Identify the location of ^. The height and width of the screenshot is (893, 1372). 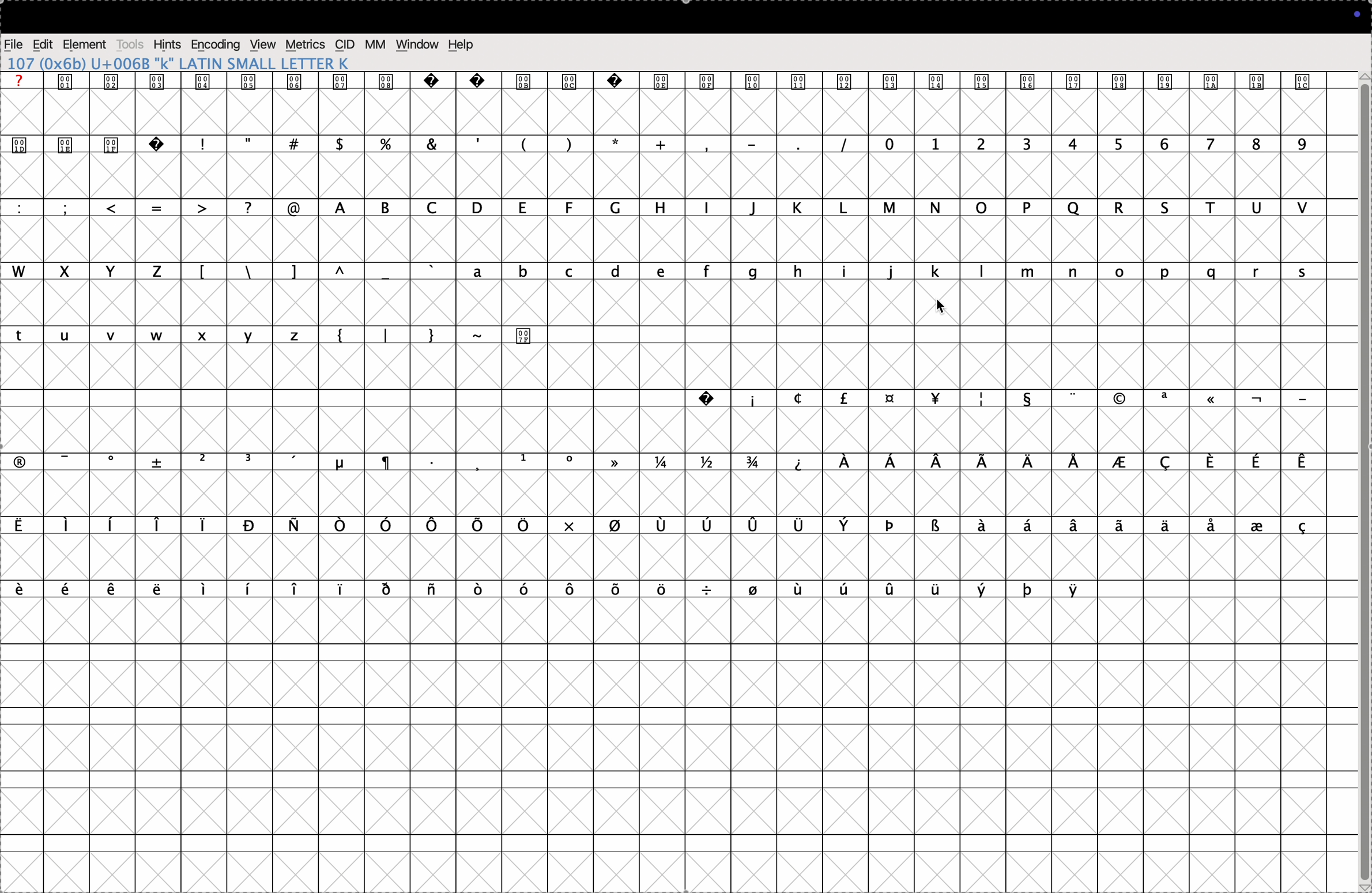
(345, 271).